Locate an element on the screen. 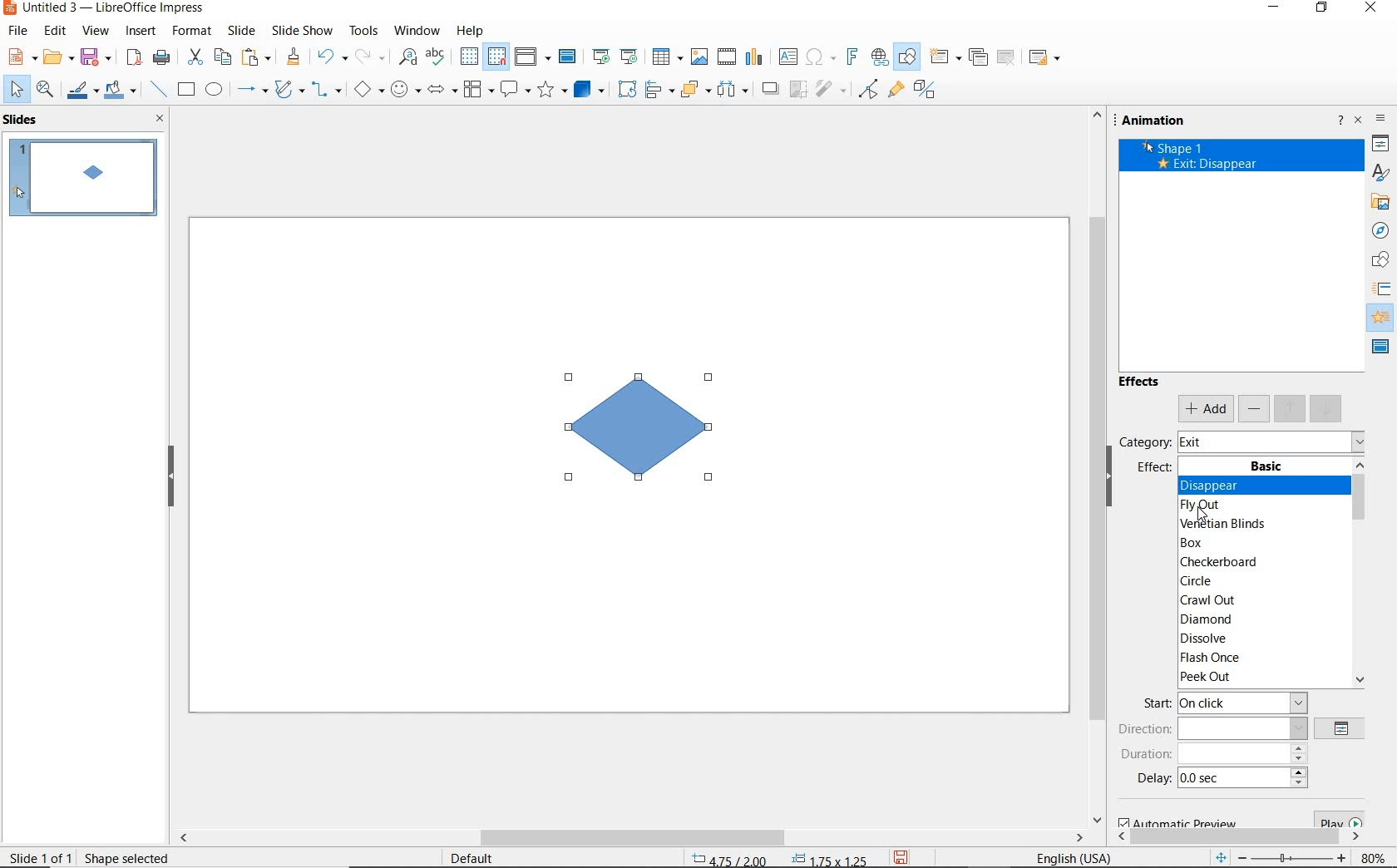 Image resolution: width=1397 pixels, height=868 pixels. insert special characters is located at coordinates (819, 57).